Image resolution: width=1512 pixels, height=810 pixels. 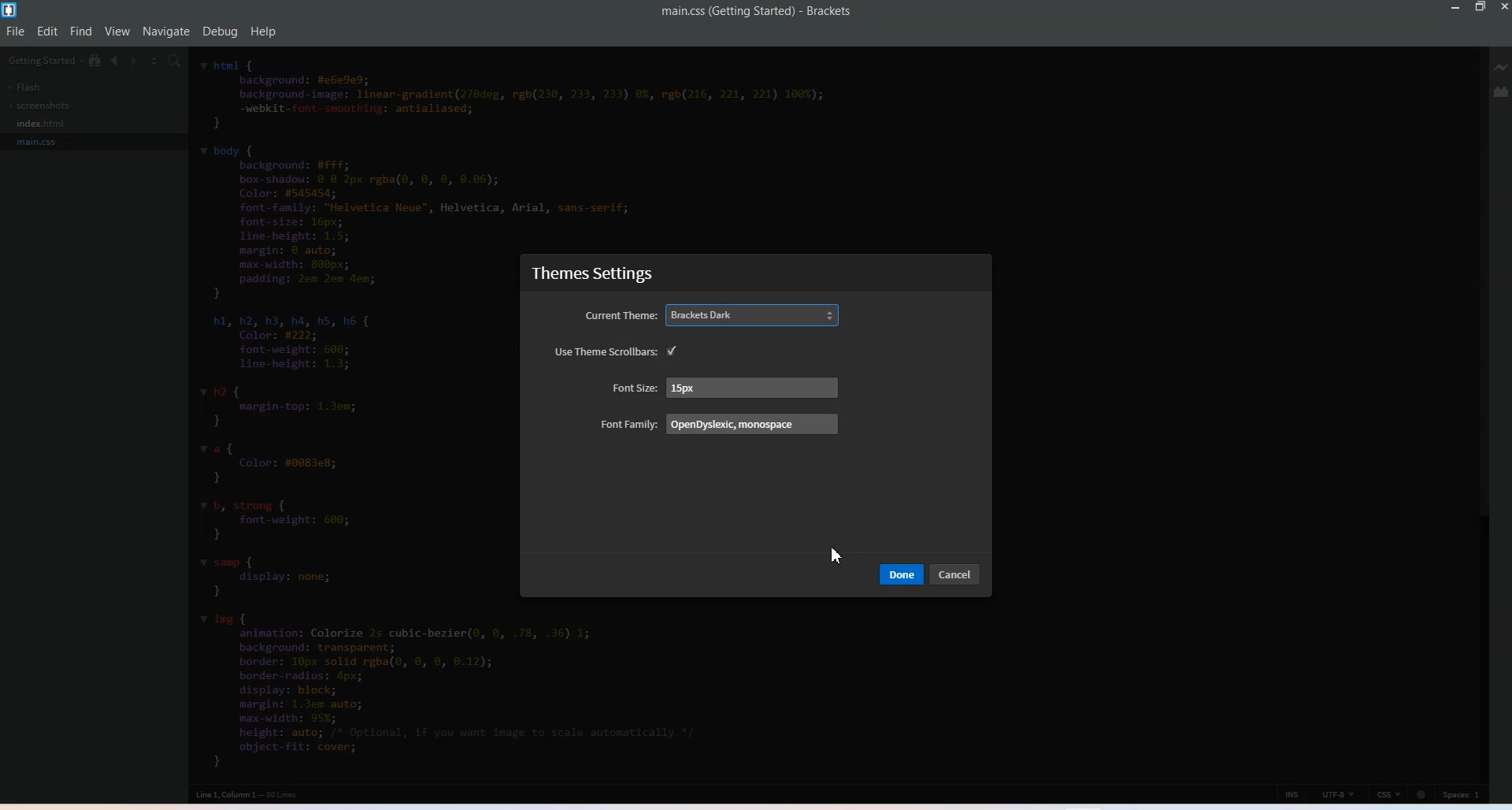 What do you see at coordinates (604, 351) in the screenshot?
I see `use theme scroll bars` at bounding box center [604, 351].